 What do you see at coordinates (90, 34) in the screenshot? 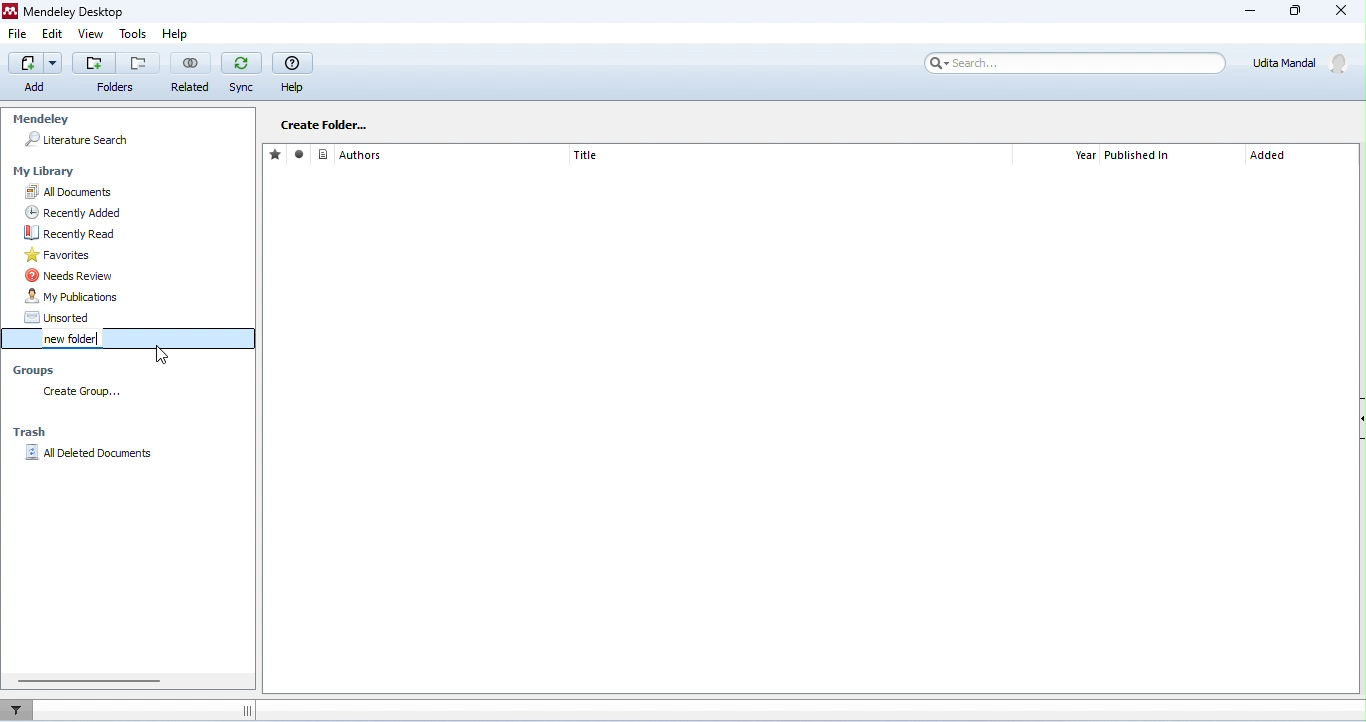
I see `view` at bounding box center [90, 34].